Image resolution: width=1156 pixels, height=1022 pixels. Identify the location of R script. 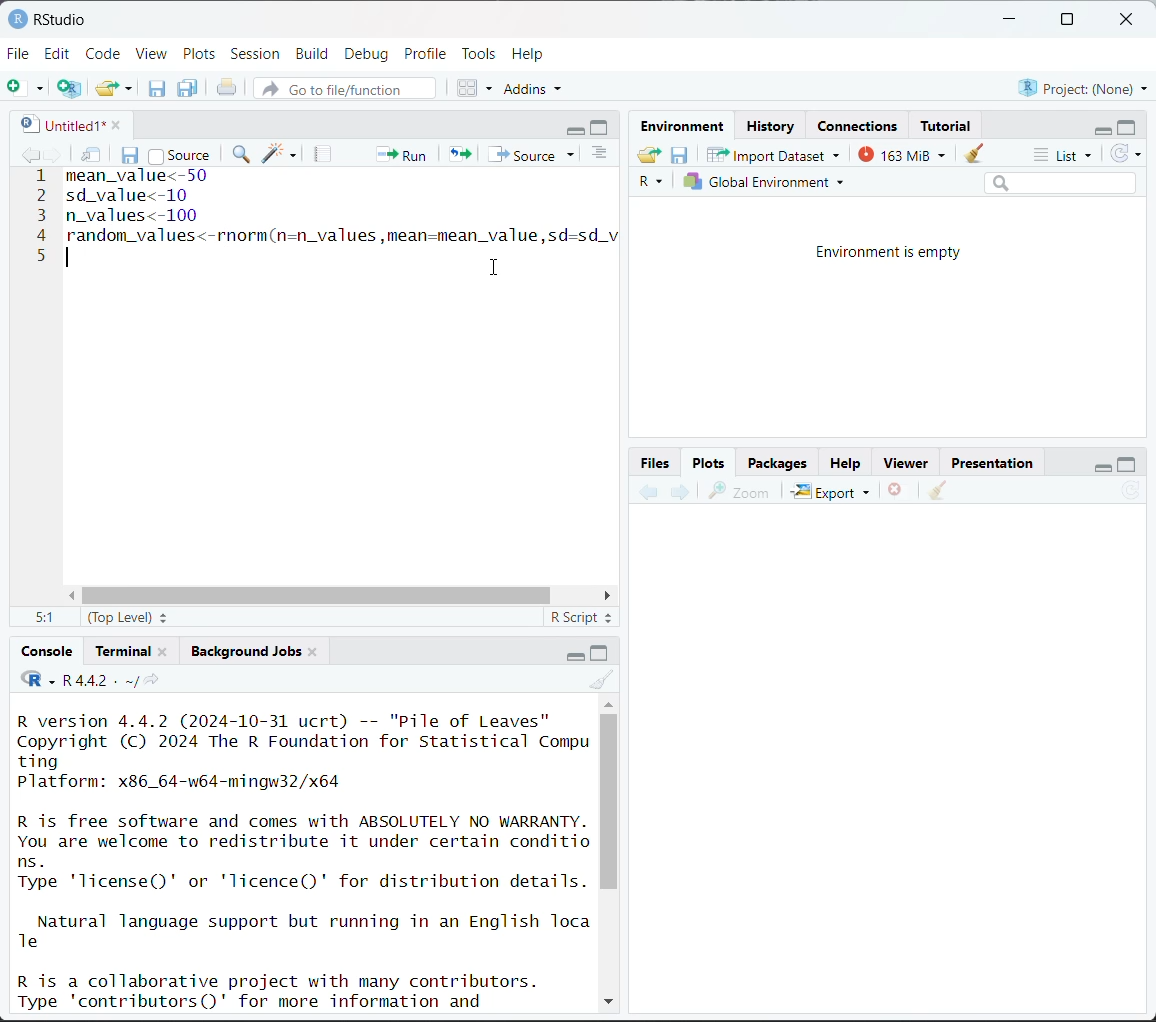
(582, 620).